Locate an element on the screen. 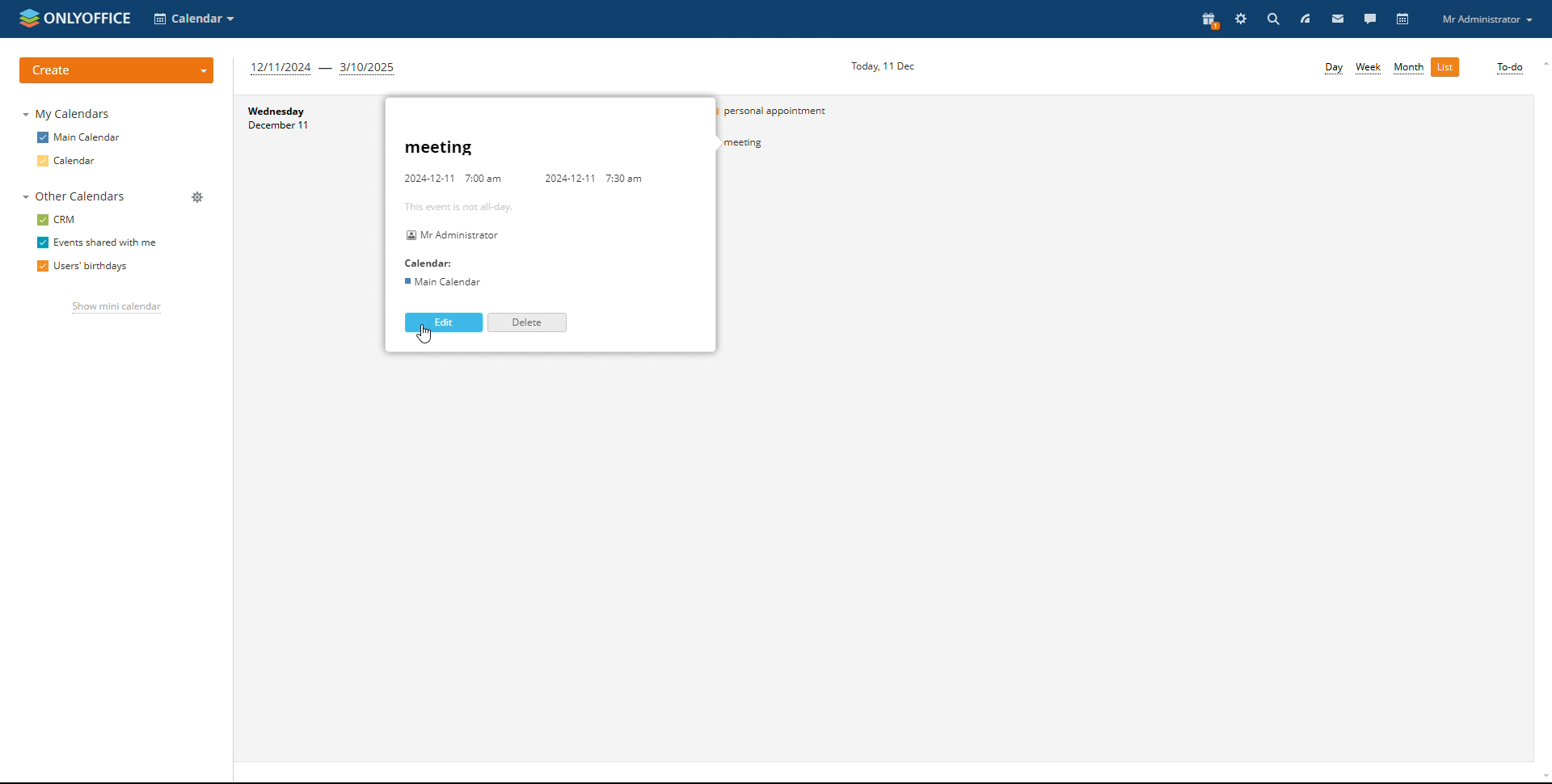 The height and width of the screenshot is (784, 1552). next 3 months is located at coordinates (323, 68).